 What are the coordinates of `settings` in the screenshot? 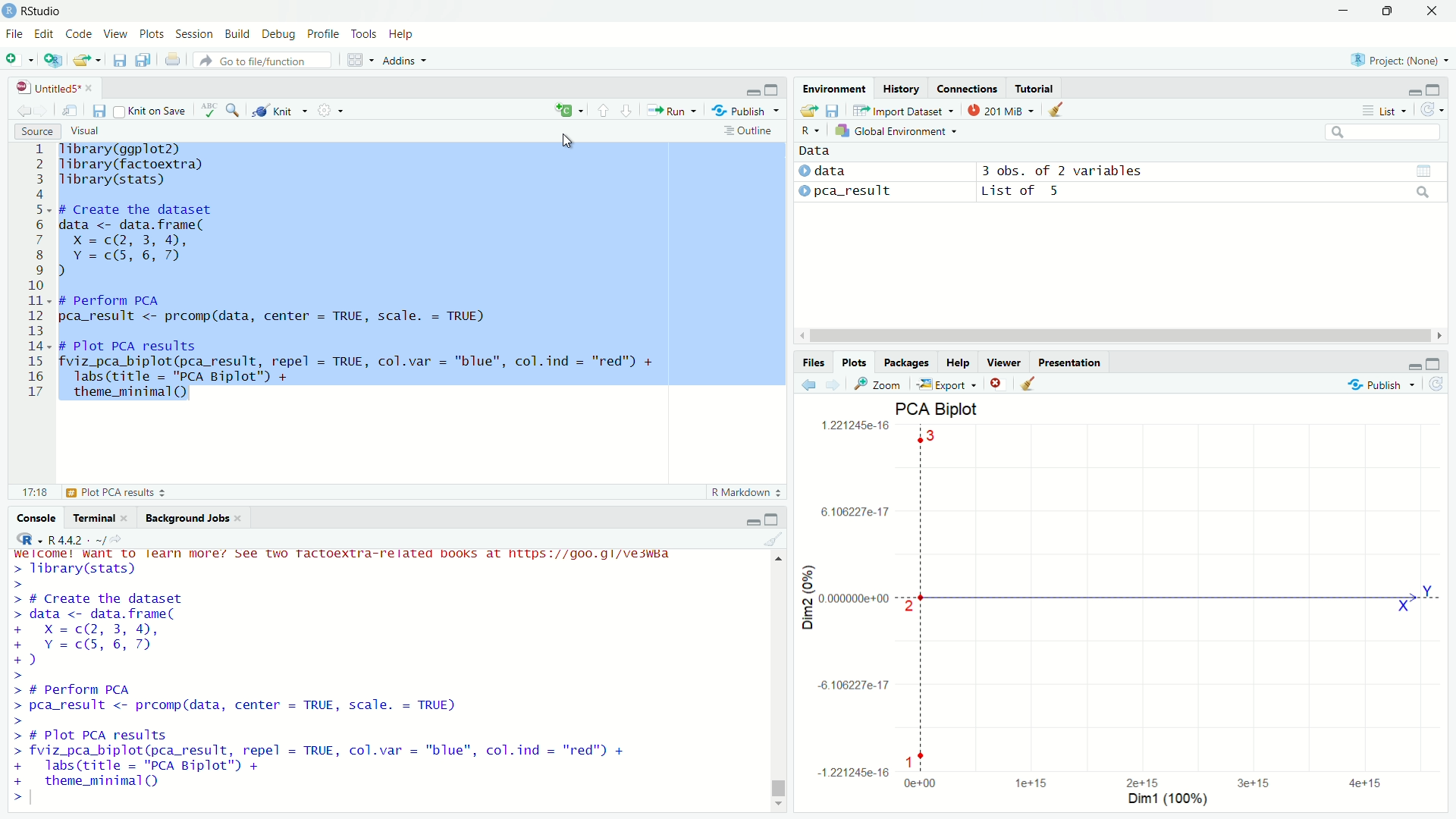 It's located at (328, 108).